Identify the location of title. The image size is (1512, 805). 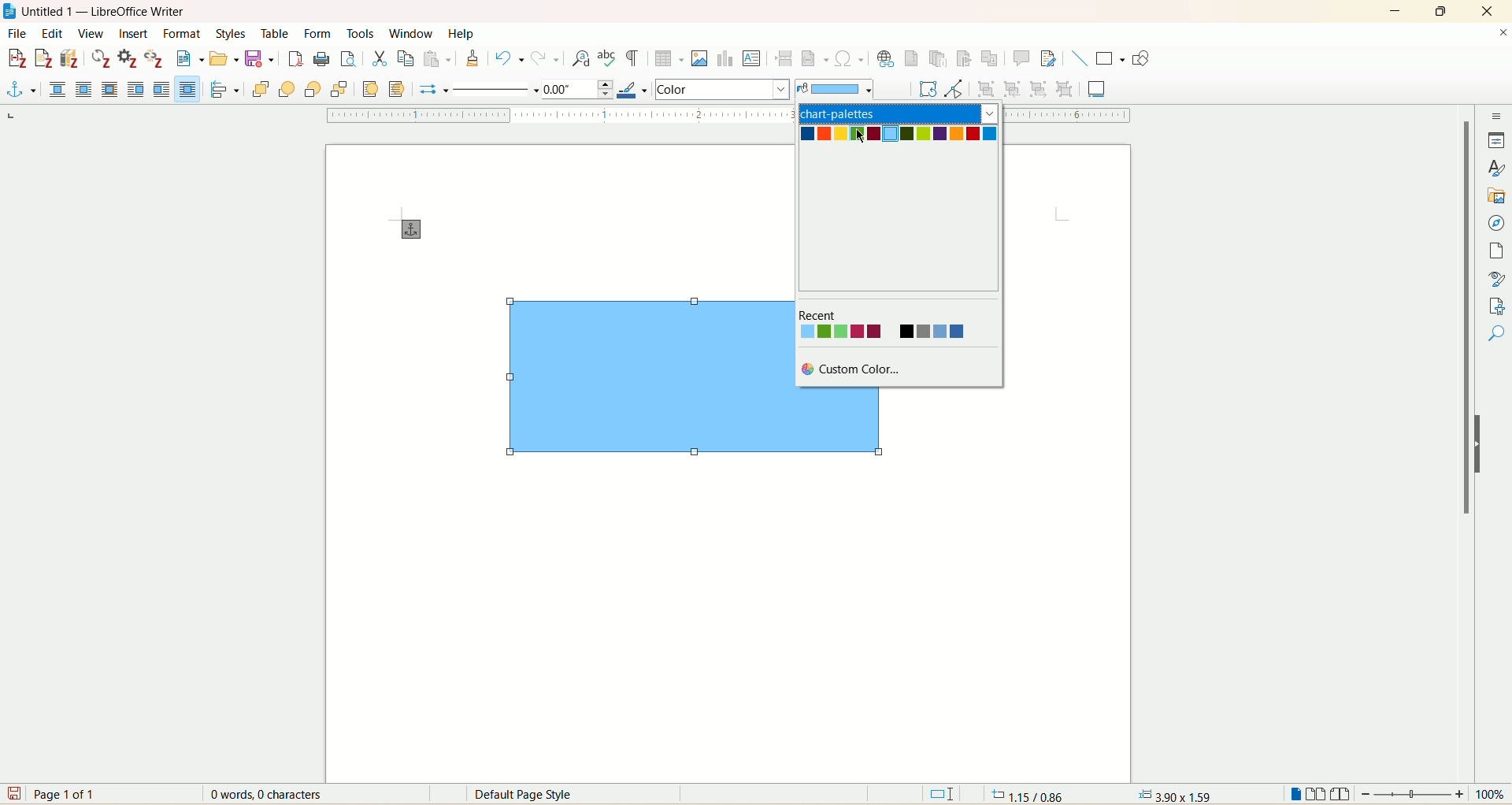
(106, 12).